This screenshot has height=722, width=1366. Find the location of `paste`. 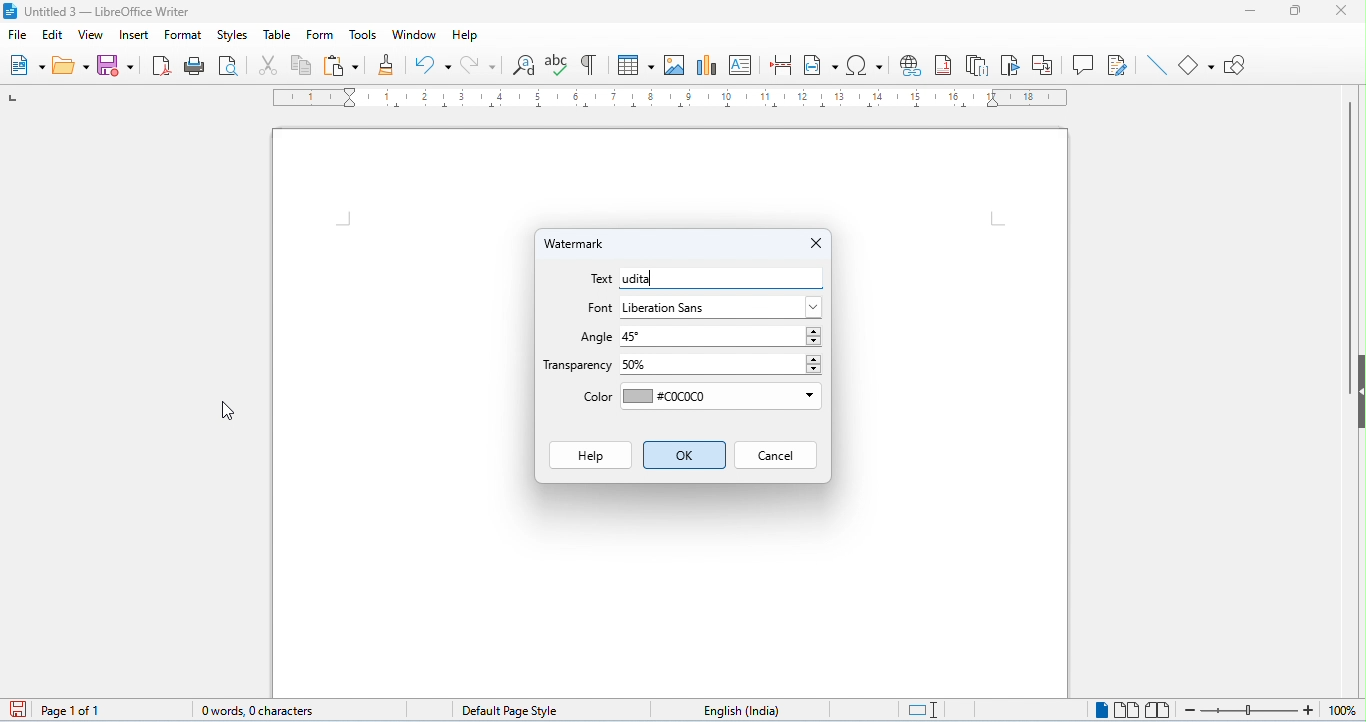

paste is located at coordinates (341, 65).